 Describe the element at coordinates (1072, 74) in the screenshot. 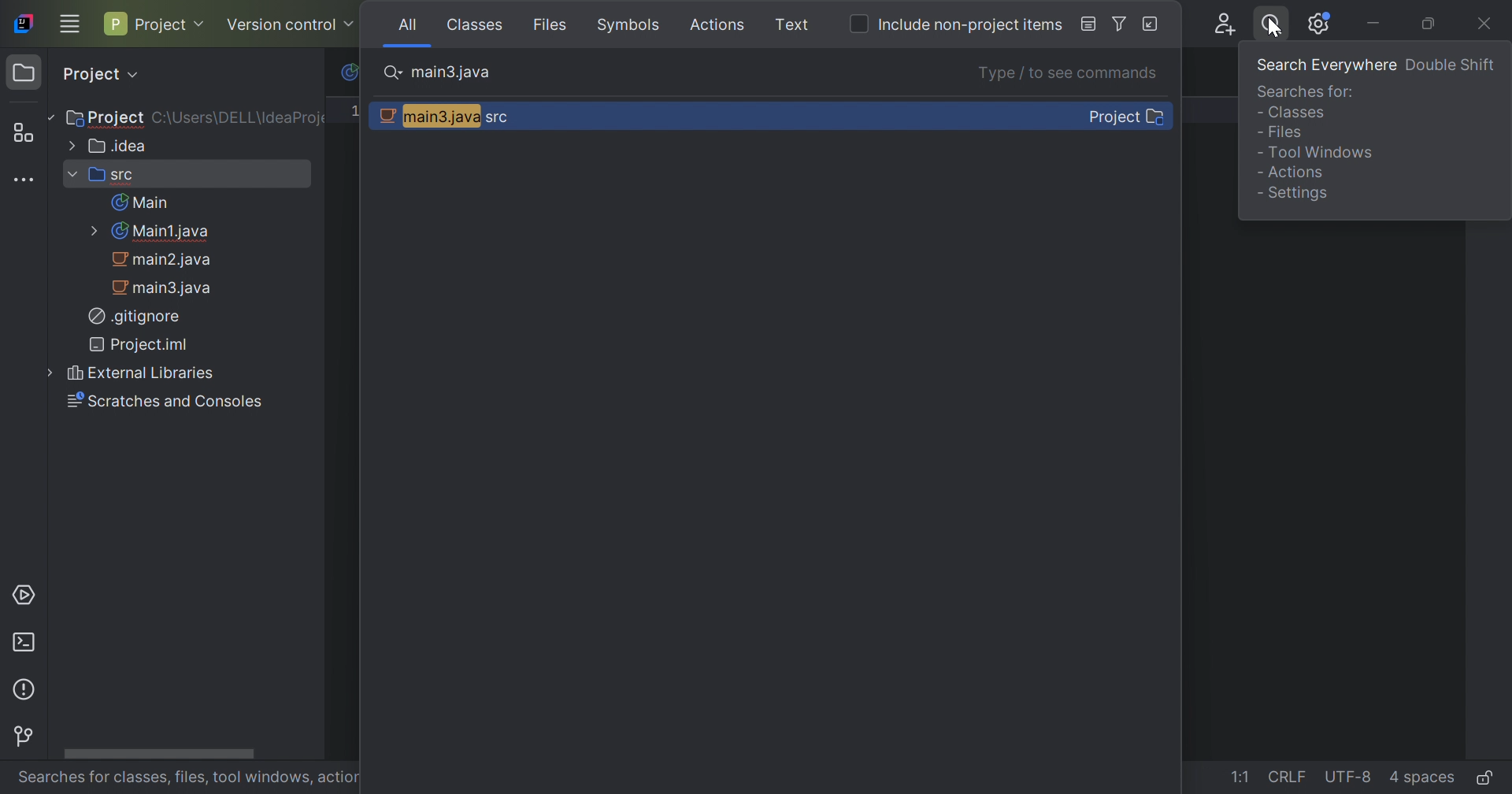

I see `Type / to see commands` at that location.